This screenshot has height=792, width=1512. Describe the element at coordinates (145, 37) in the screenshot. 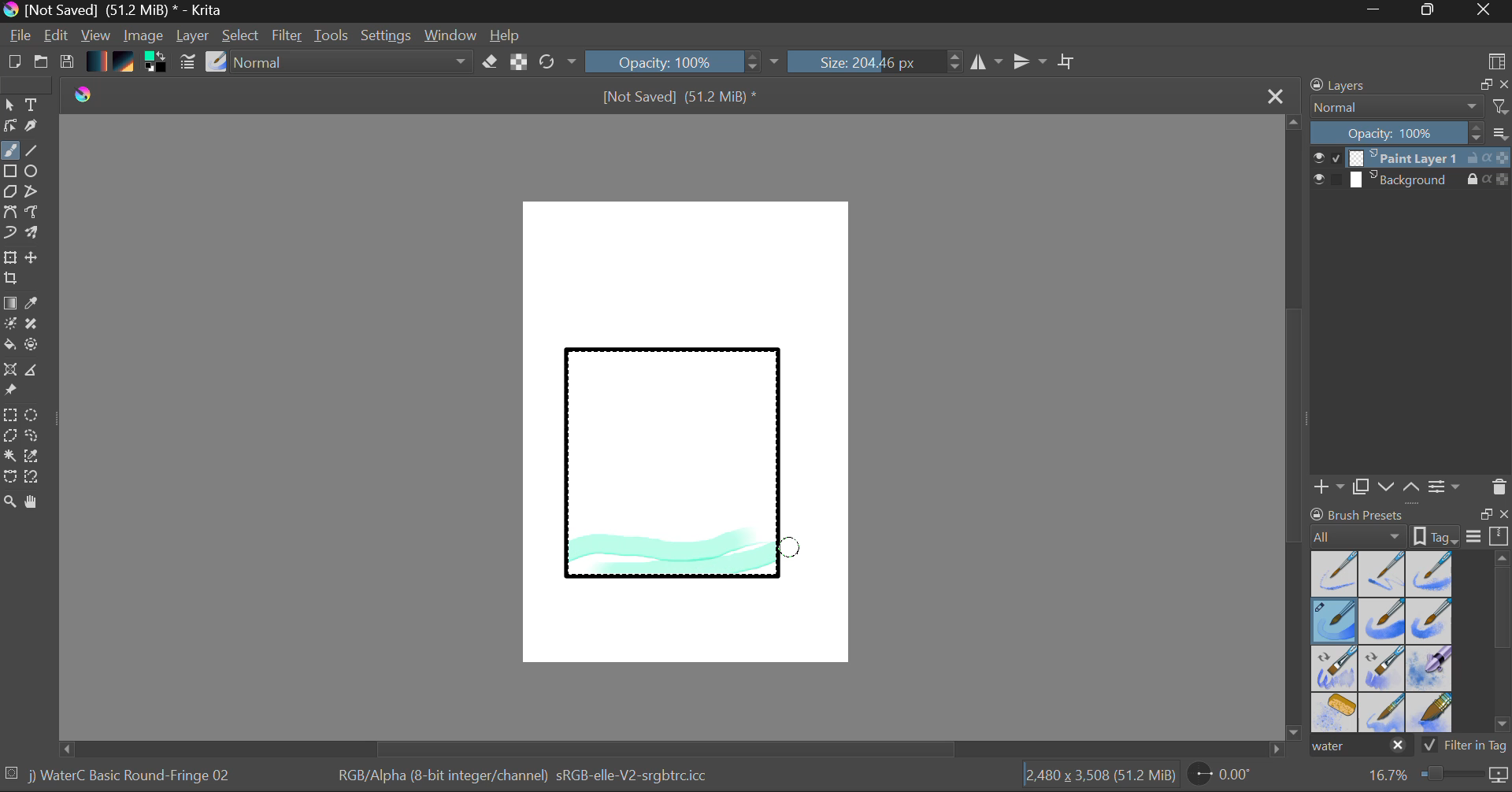

I see `Image` at that location.